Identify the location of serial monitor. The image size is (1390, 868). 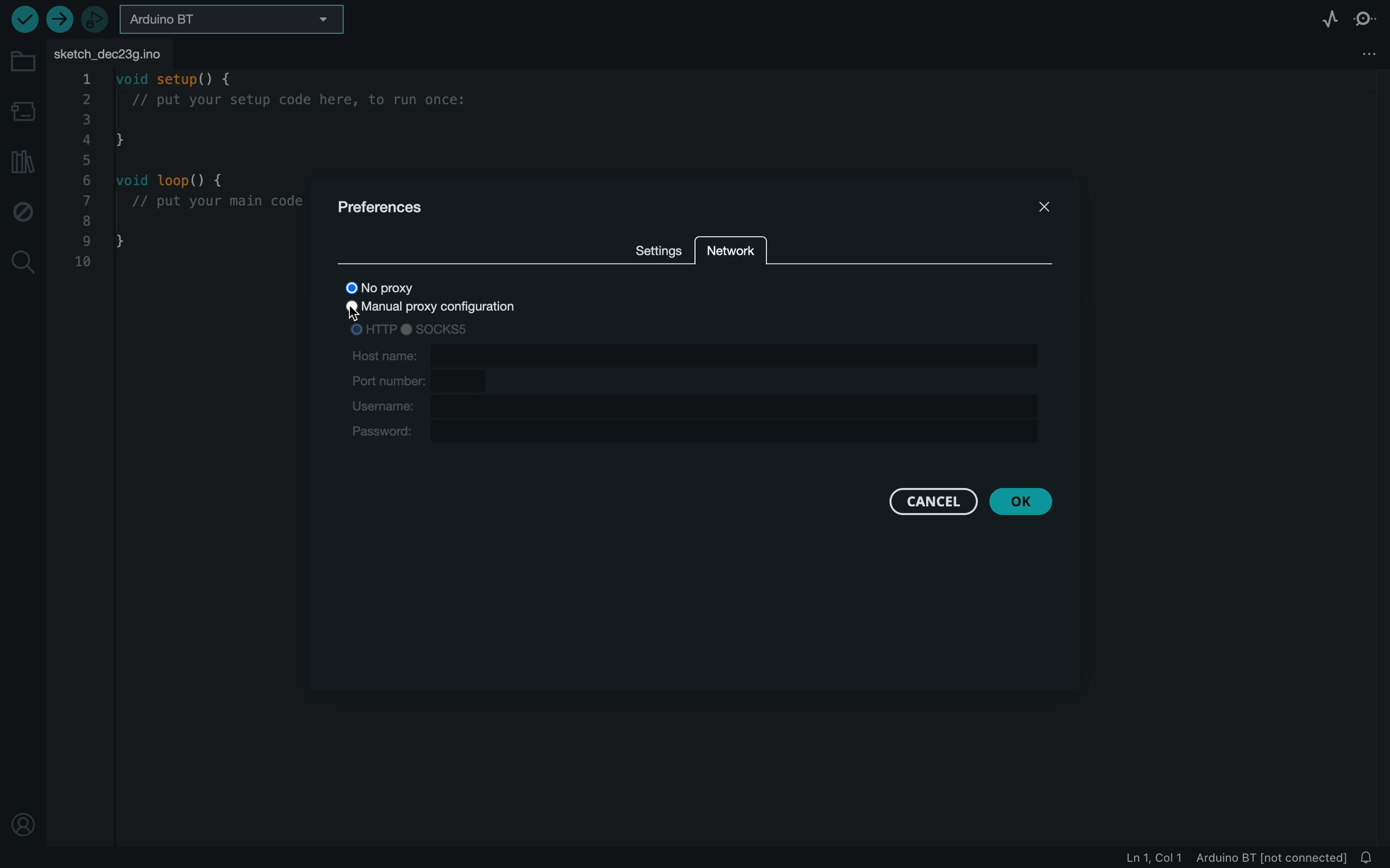
(1366, 18).